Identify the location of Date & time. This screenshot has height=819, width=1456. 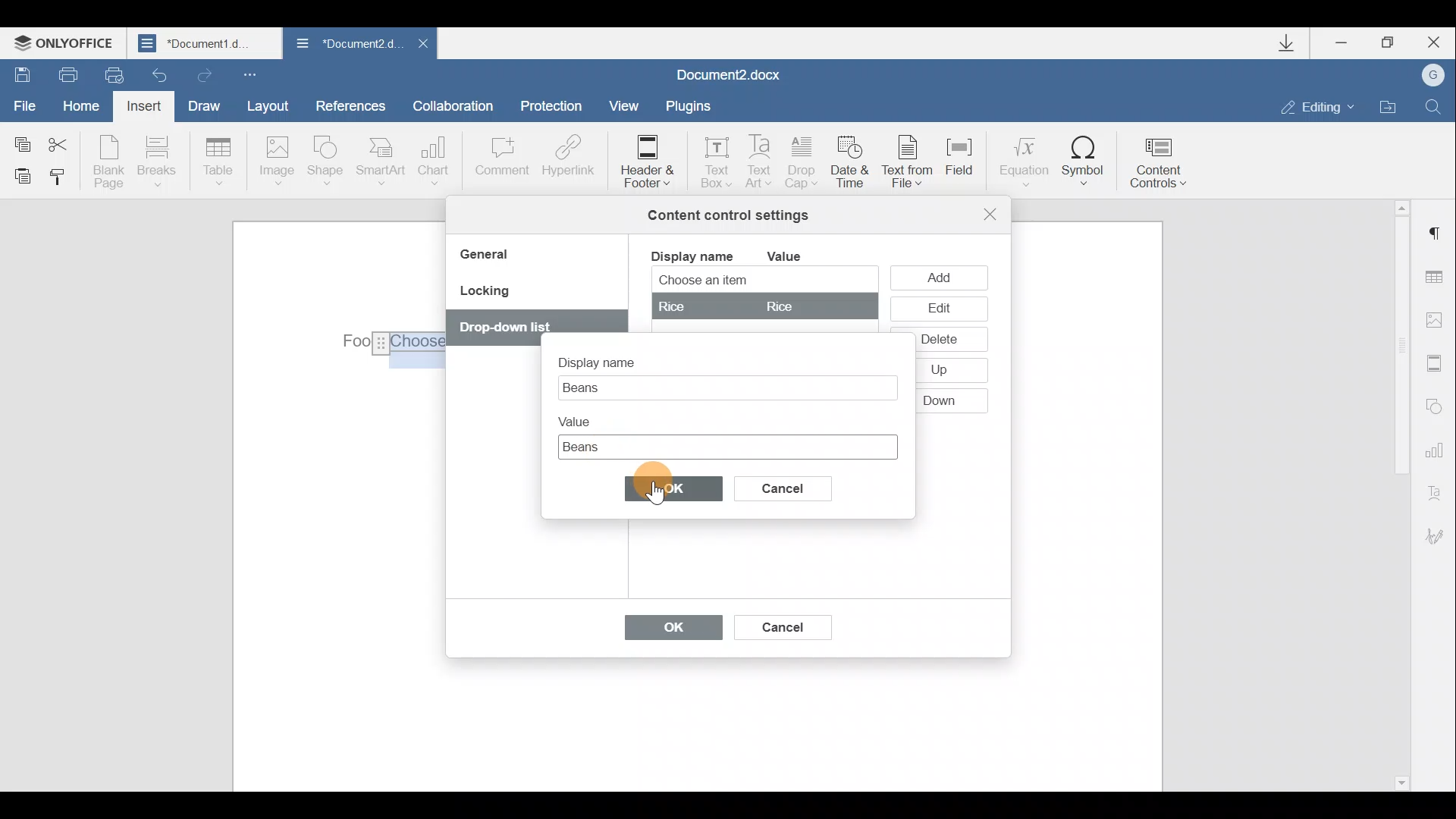
(852, 165).